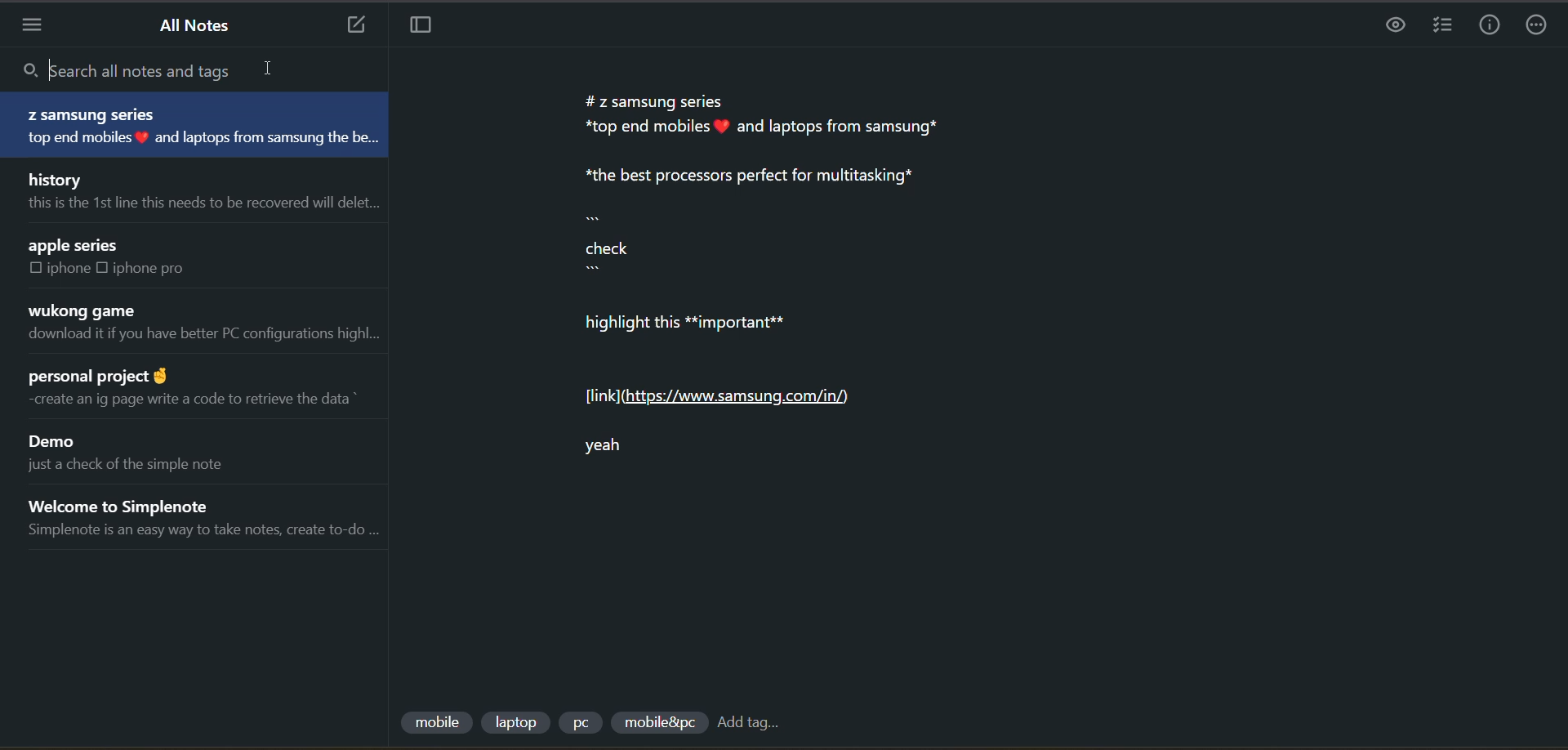  I want to click on add tag, so click(758, 725).